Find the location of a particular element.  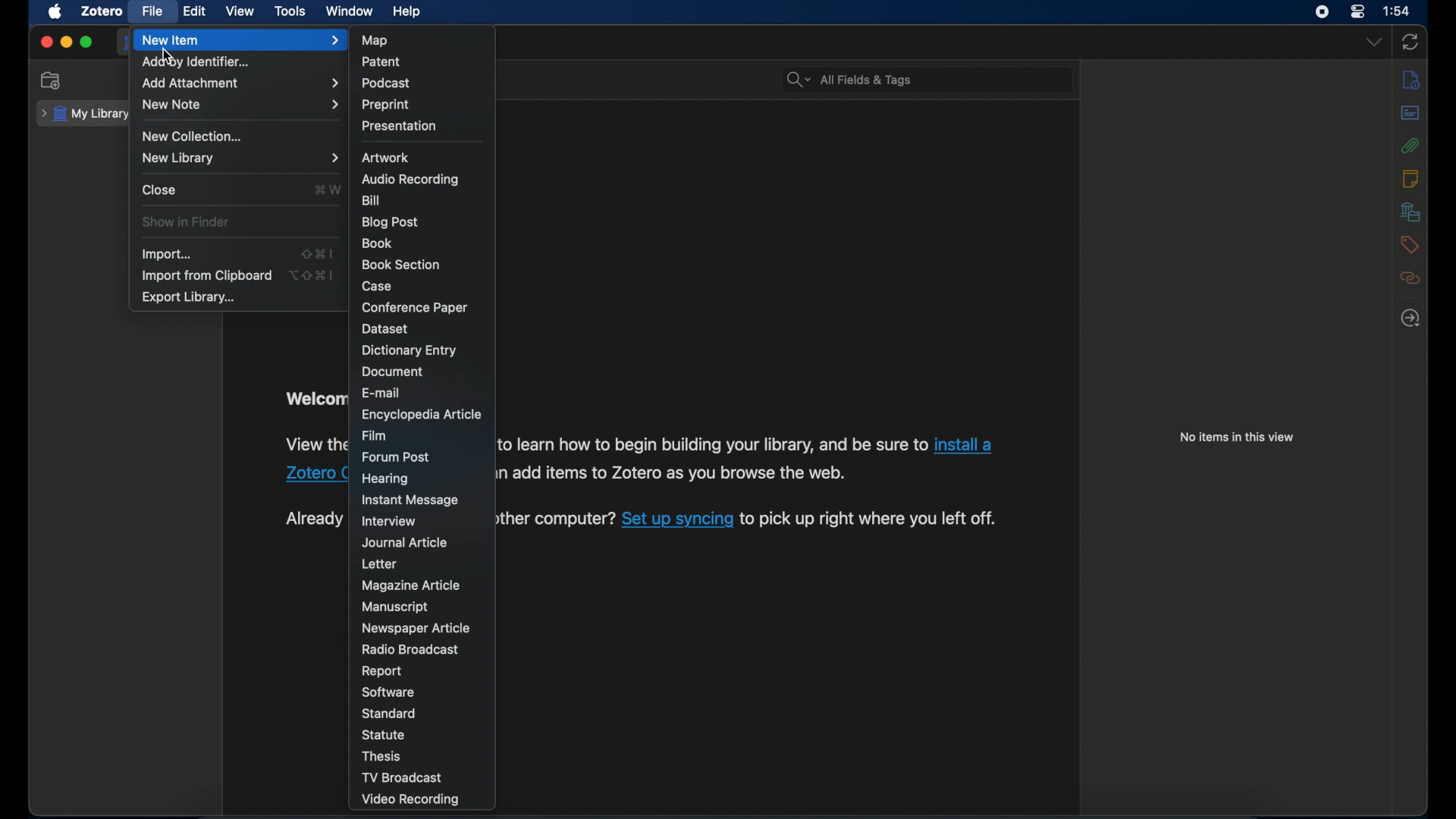

bill is located at coordinates (372, 199).